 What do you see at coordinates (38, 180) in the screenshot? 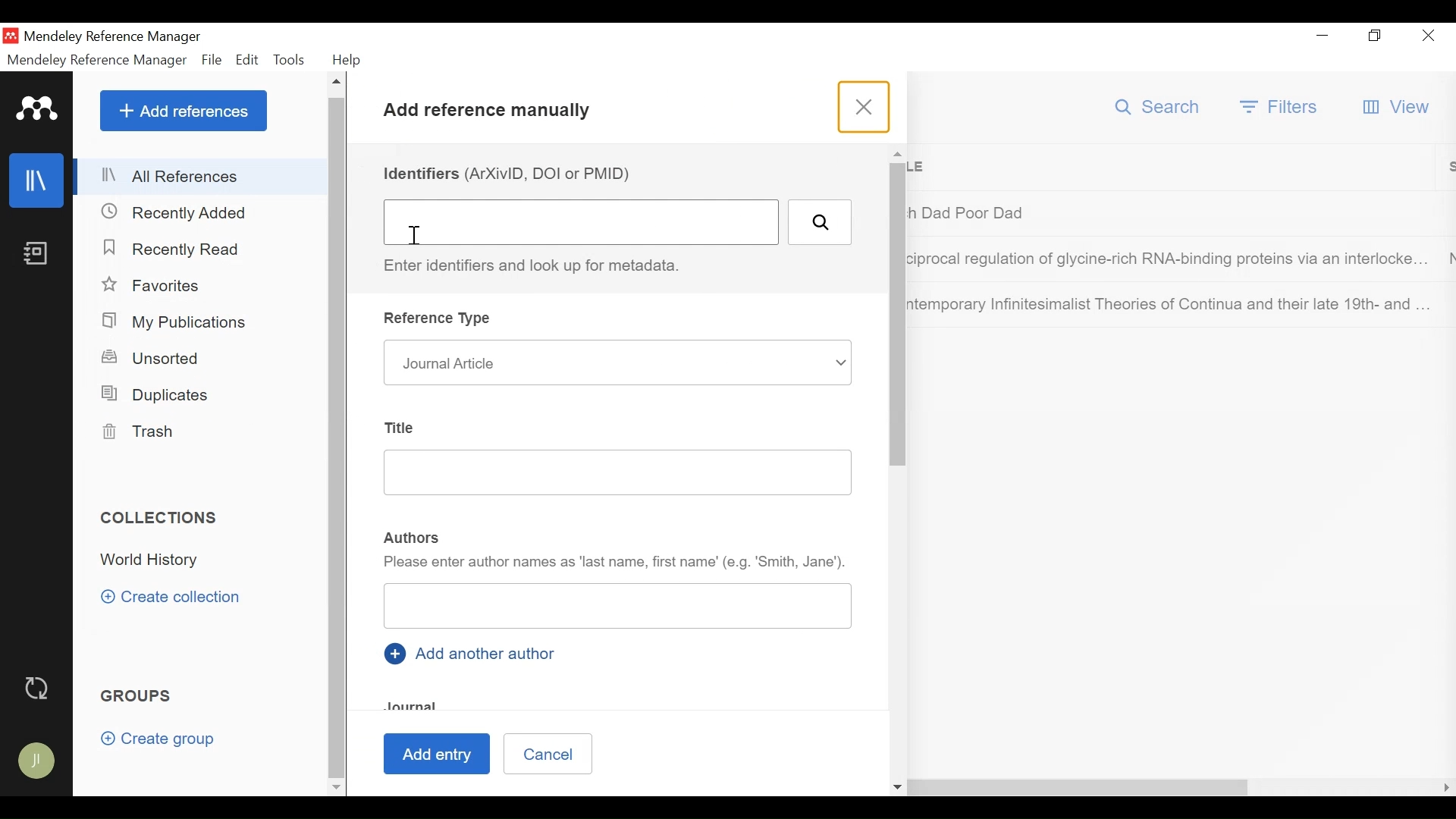
I see `library` at bounding box center [38, 180].